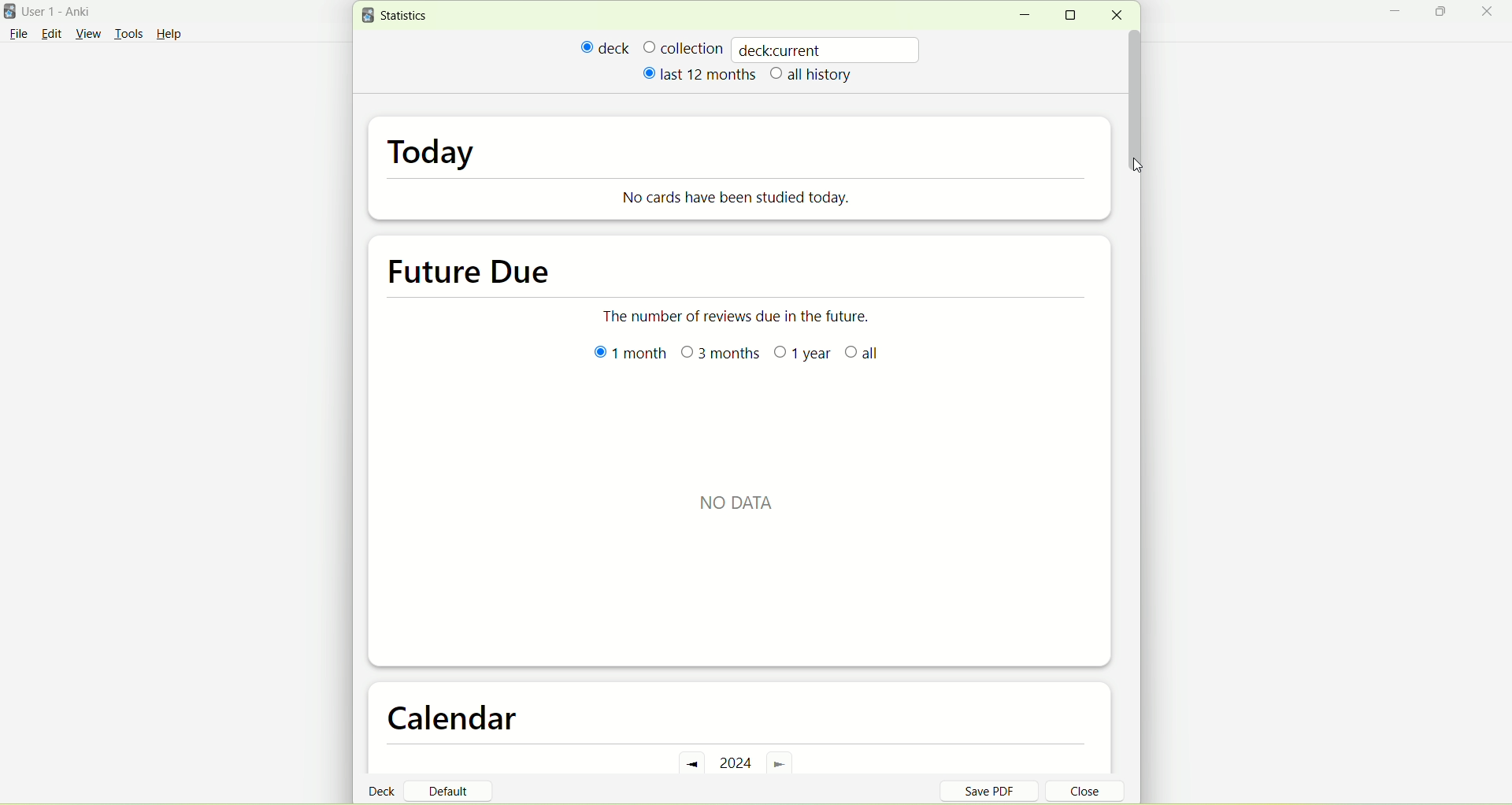  Describe the element at coordinates (1140, 165) in the screenshot. I see `cursor` at that location.